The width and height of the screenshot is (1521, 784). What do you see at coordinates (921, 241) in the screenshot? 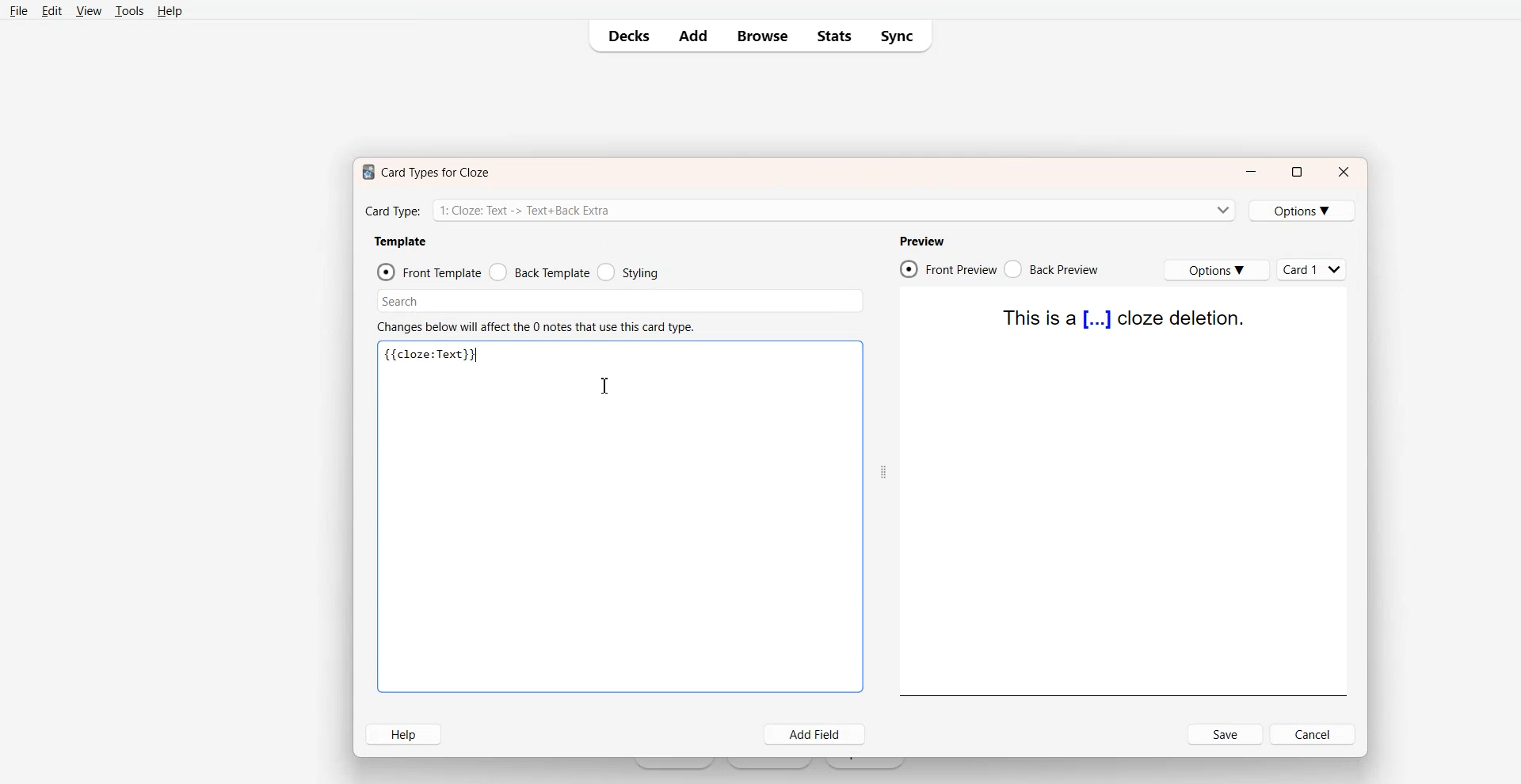
I see `Preview` at bounding box center [921, 241].